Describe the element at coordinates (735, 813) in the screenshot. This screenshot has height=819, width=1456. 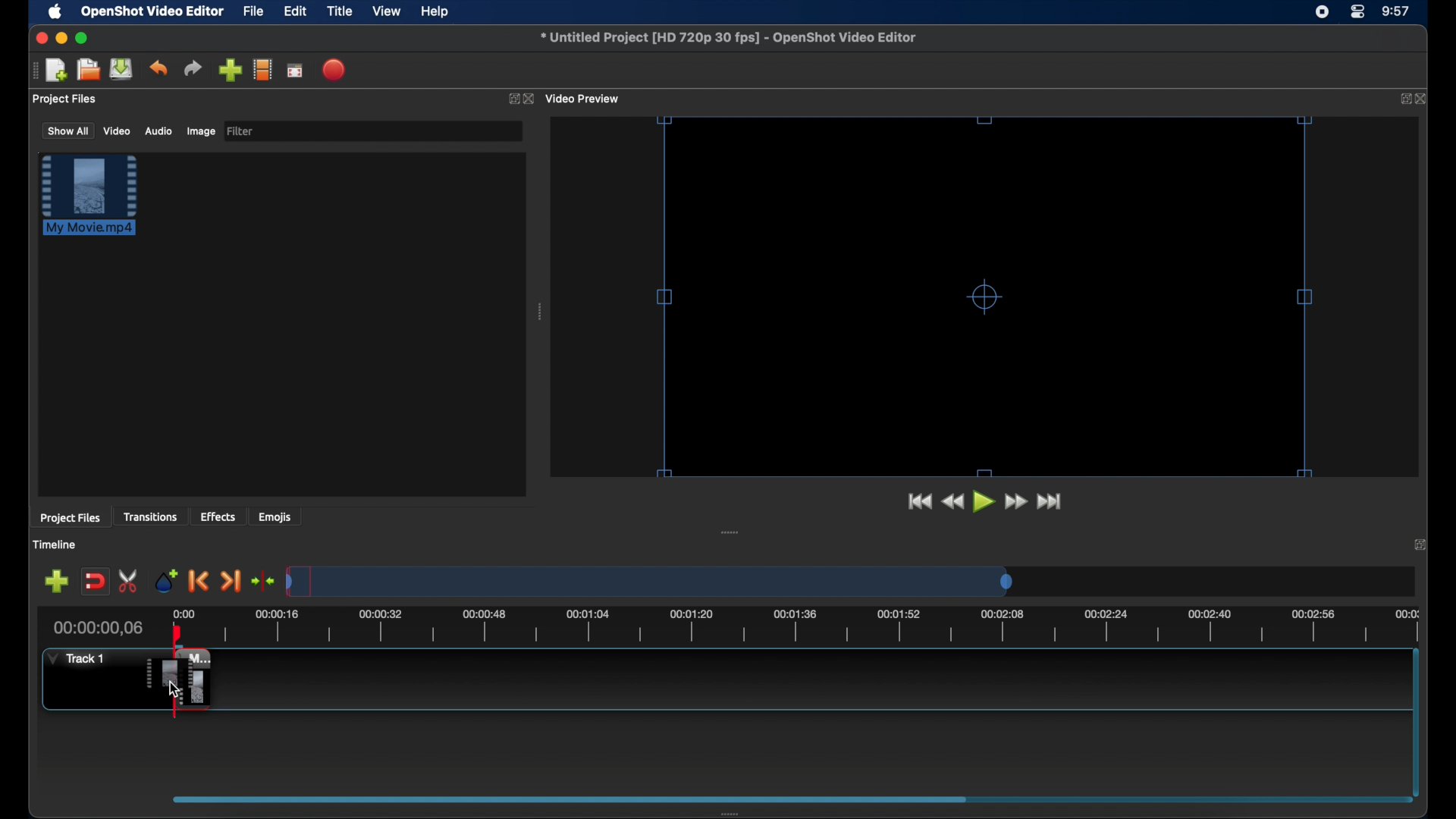
I see `drag handle` at that location.